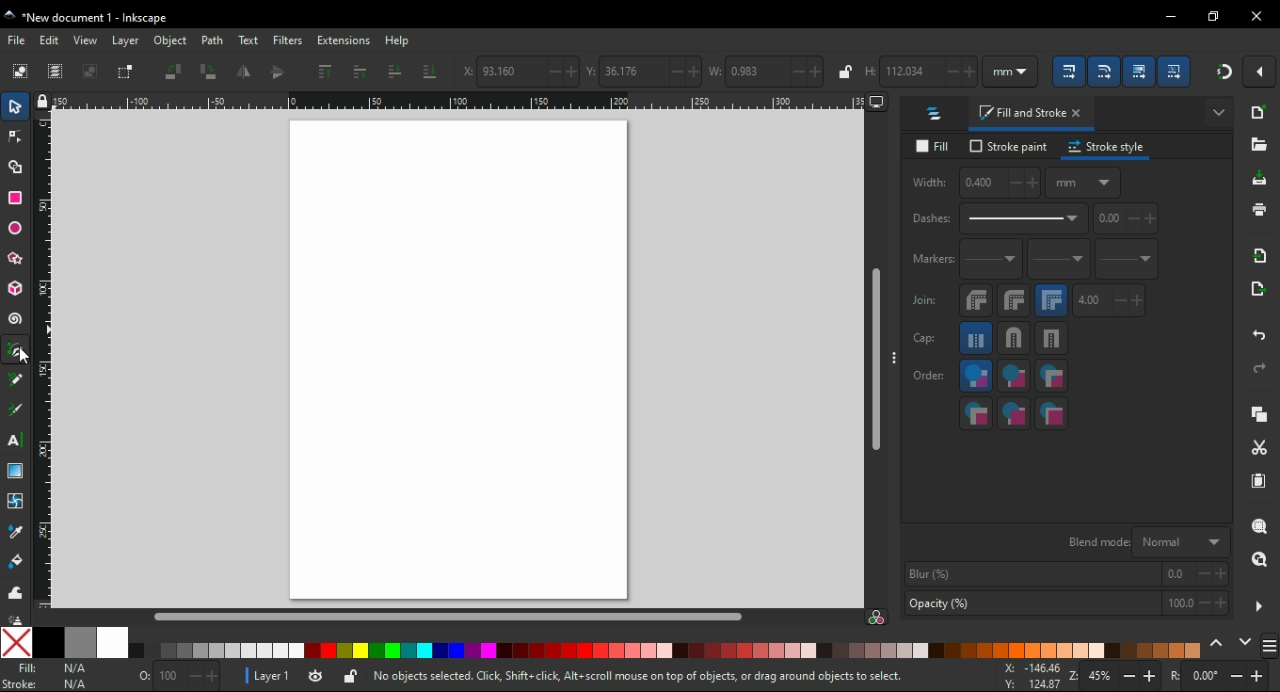 This screenshot has height=692, width=1280. I want to click on open file dialogue, so click(1259, 148).